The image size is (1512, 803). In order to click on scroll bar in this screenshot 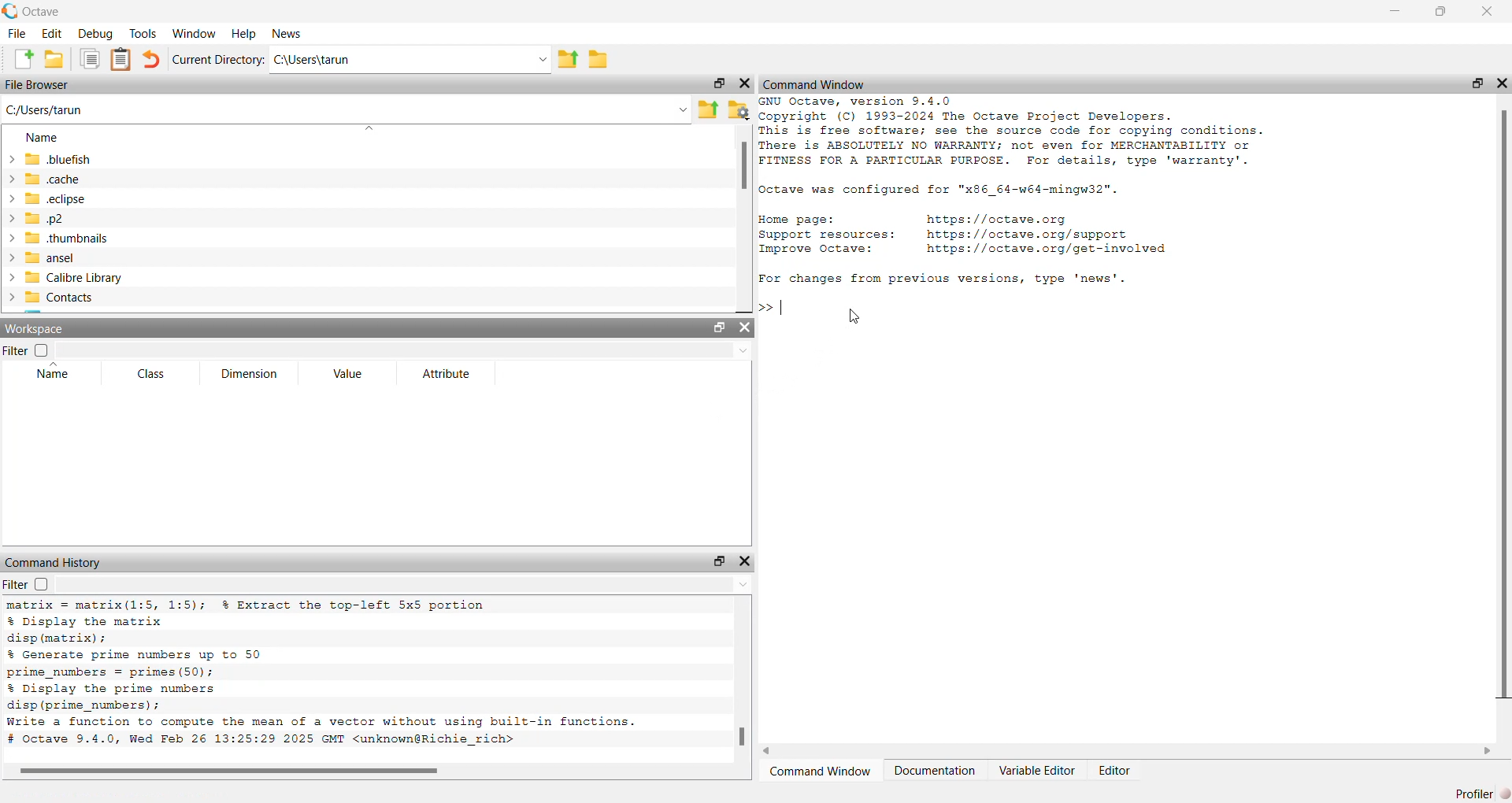, I will do `click(742, 737)`.